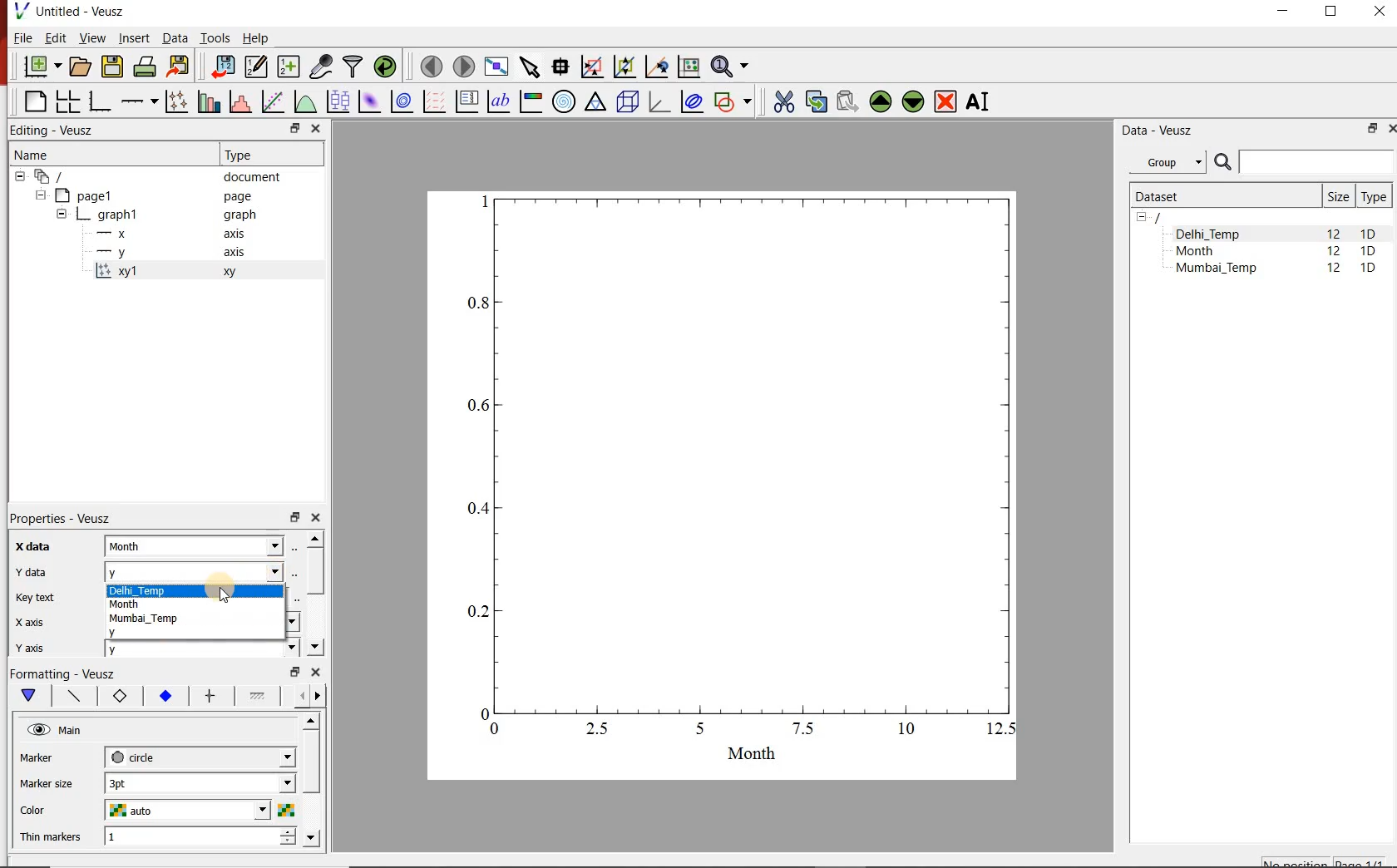  I want to click on Type, so click(1374, 196).